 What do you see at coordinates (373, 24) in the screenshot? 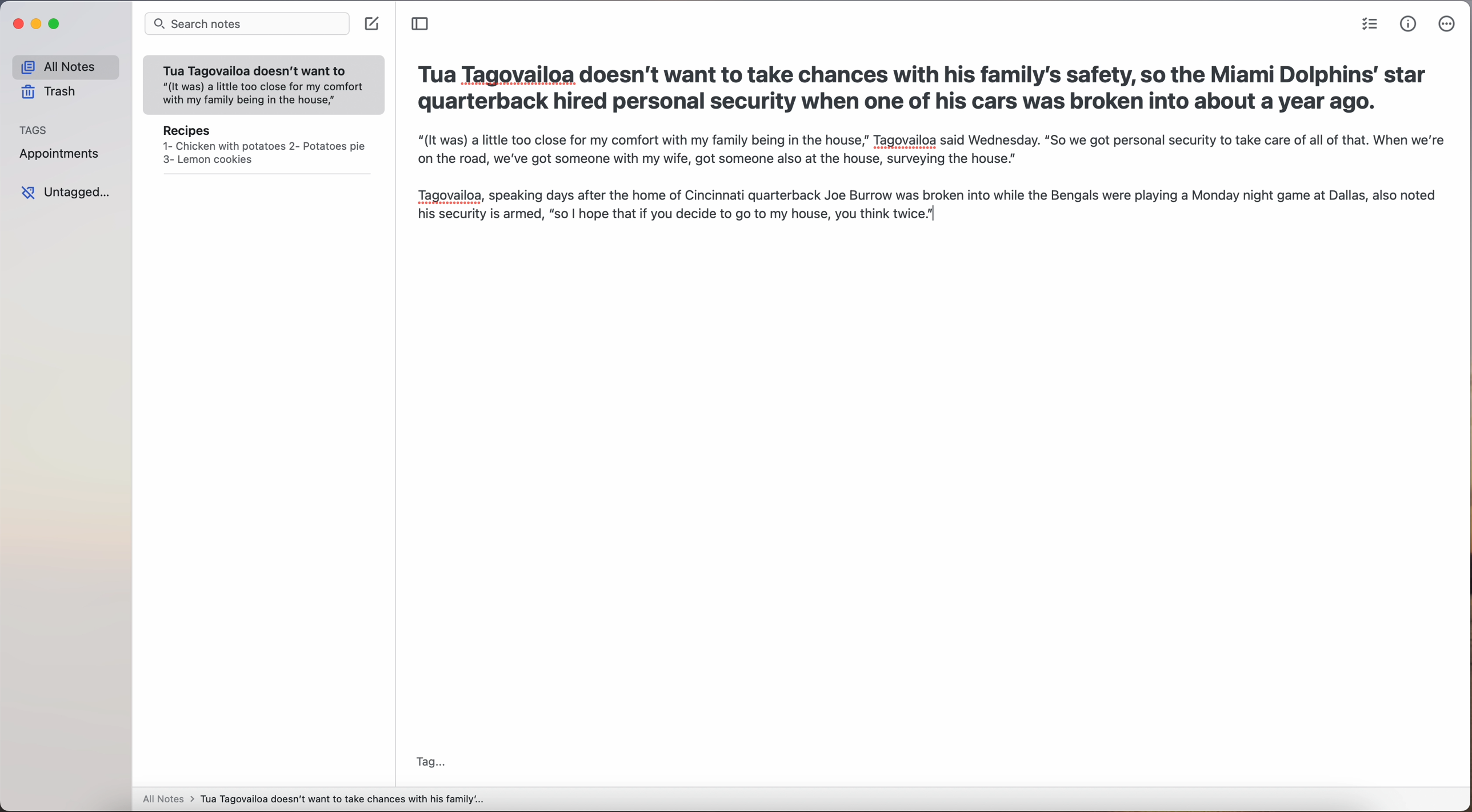
I see `create note` at bounding box center [373, 24].